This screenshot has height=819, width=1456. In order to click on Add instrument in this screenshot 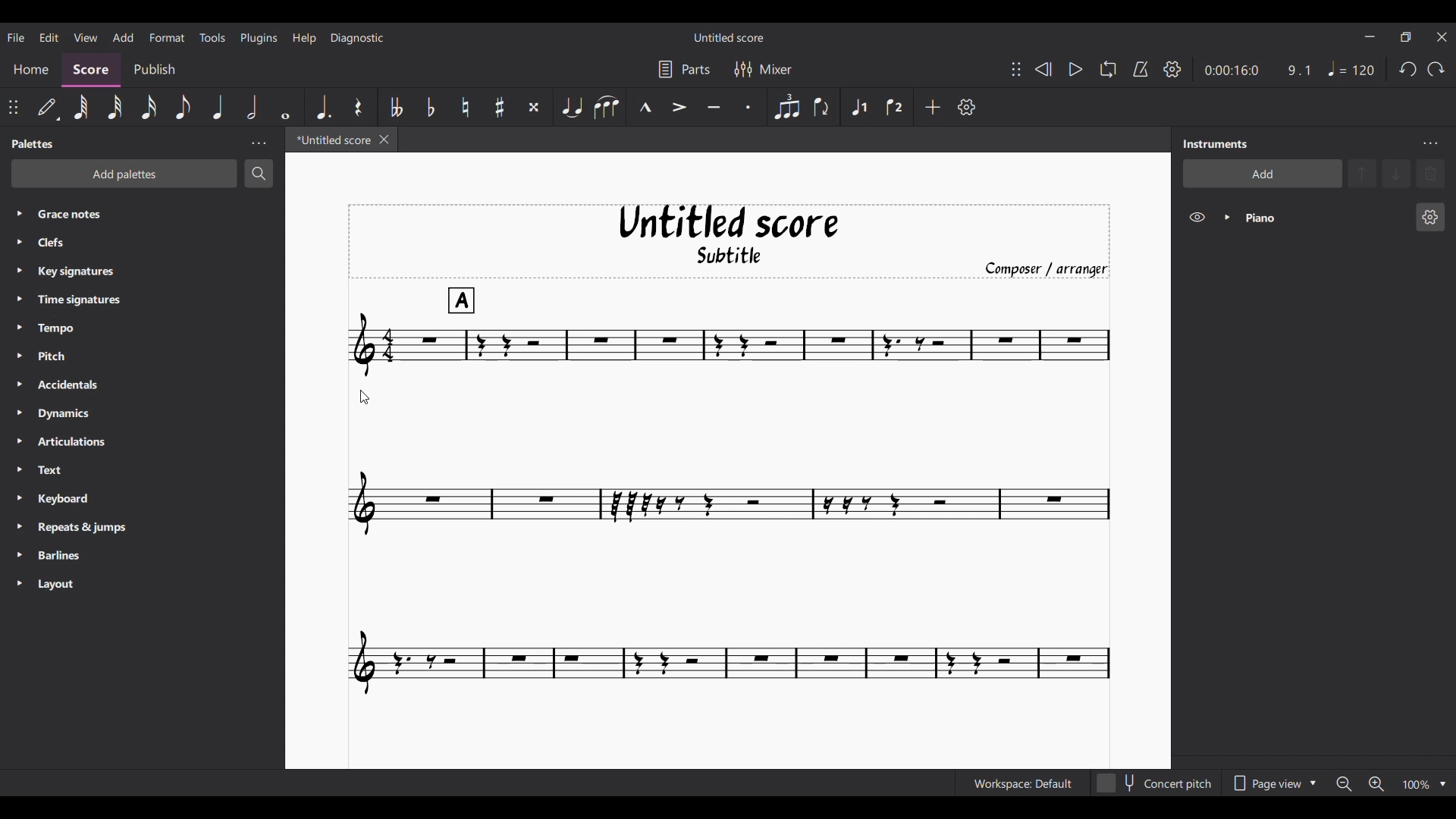, I will do `click(1263, 174)`.